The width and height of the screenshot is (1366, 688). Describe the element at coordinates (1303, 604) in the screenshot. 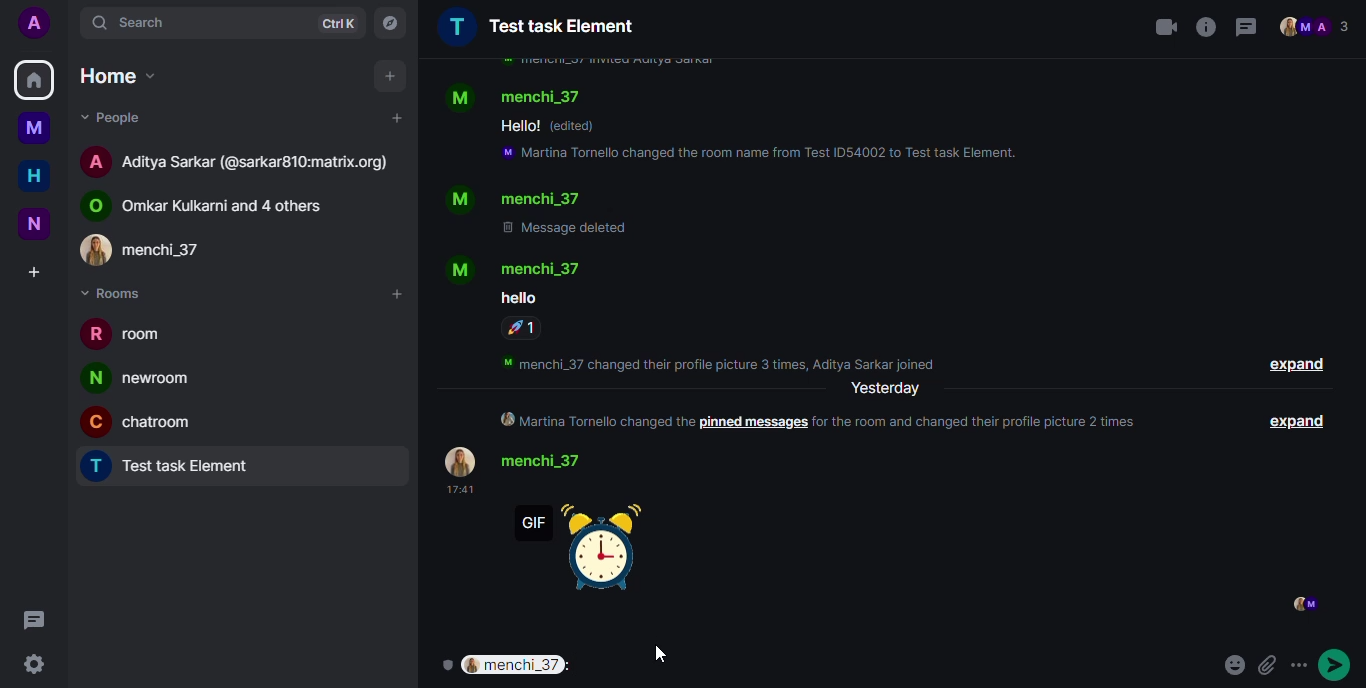

I see `seen` at that location.